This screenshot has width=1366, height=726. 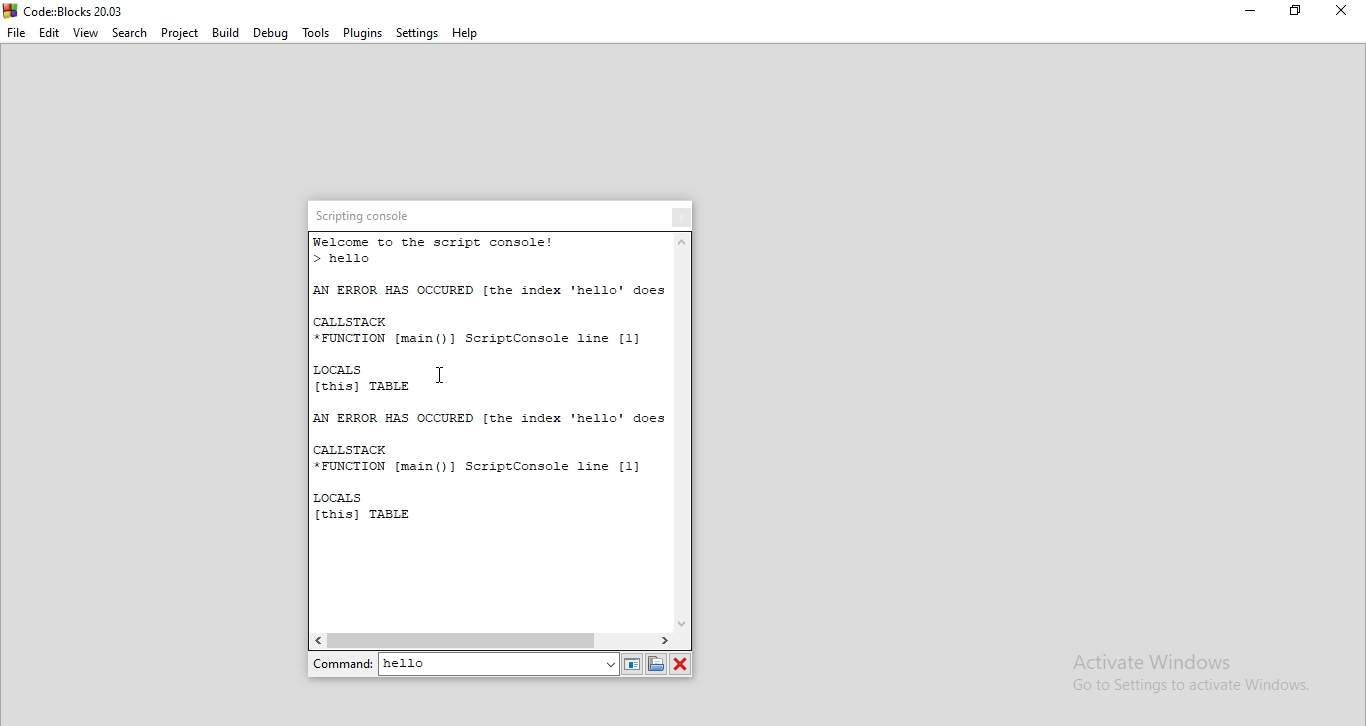 I want to click on Scripting console, so click(x=369, y=213).